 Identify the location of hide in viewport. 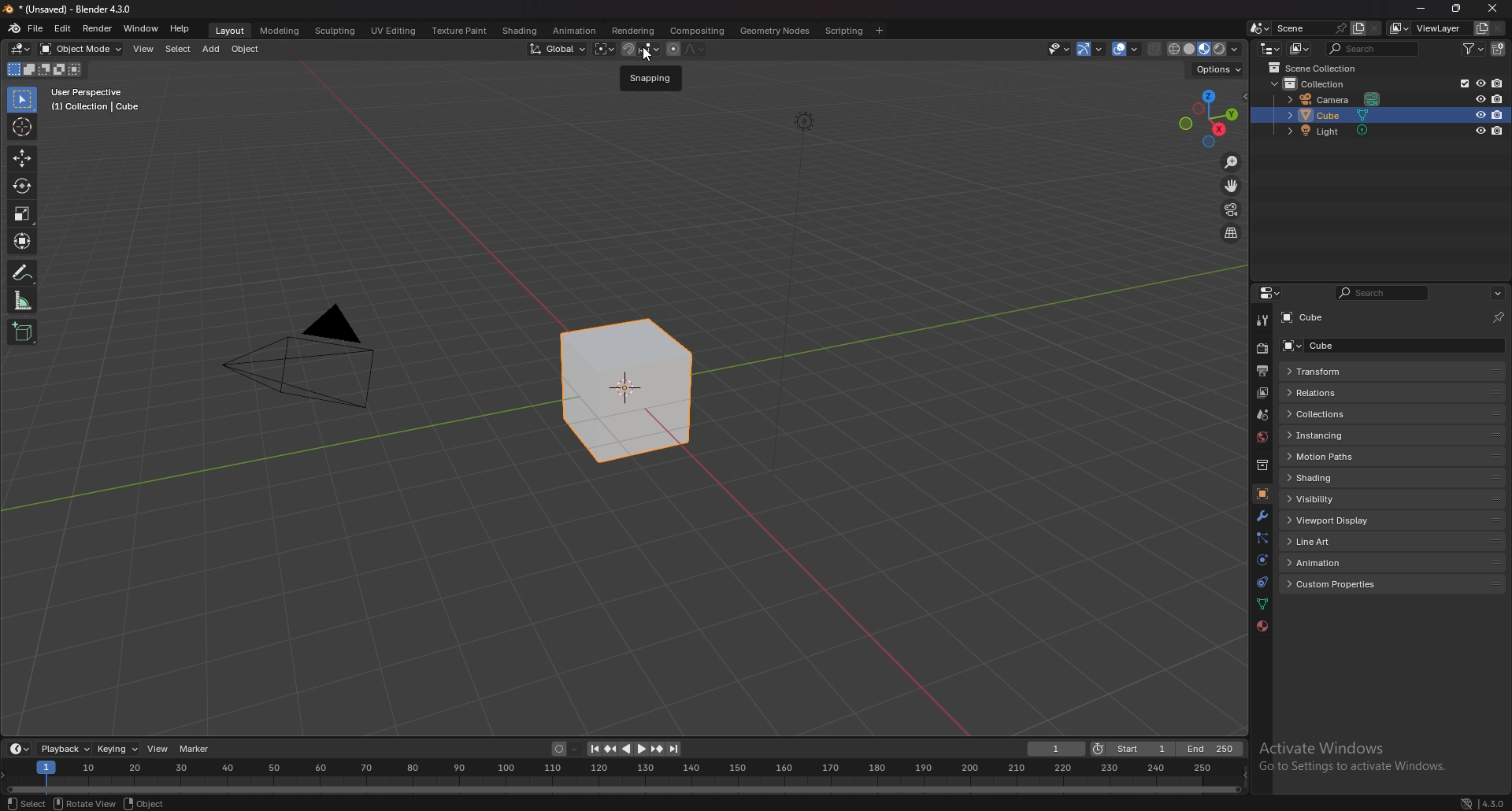
(1480, 114).